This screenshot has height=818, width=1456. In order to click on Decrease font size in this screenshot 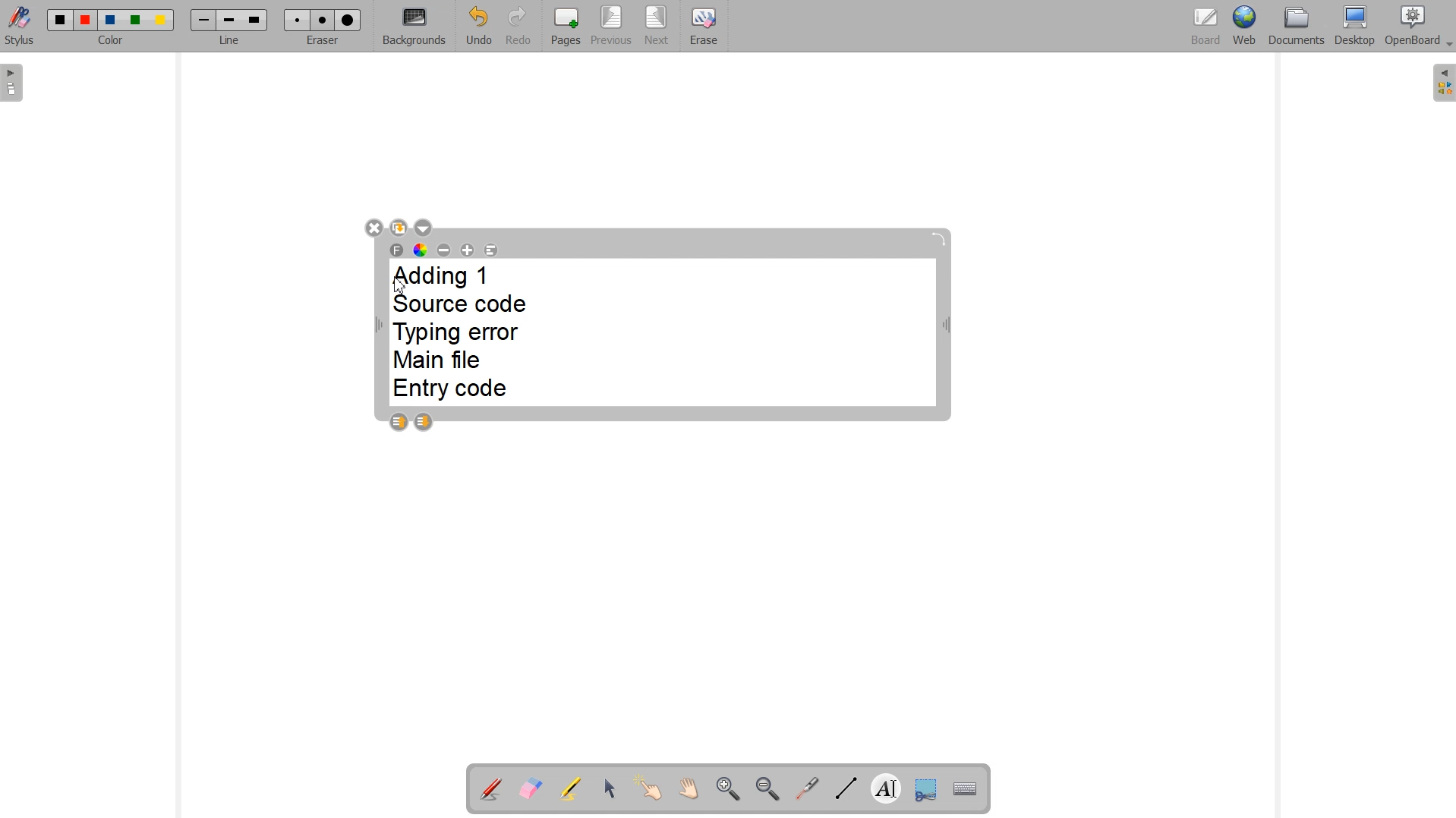, I will do `click(444, 249)`.